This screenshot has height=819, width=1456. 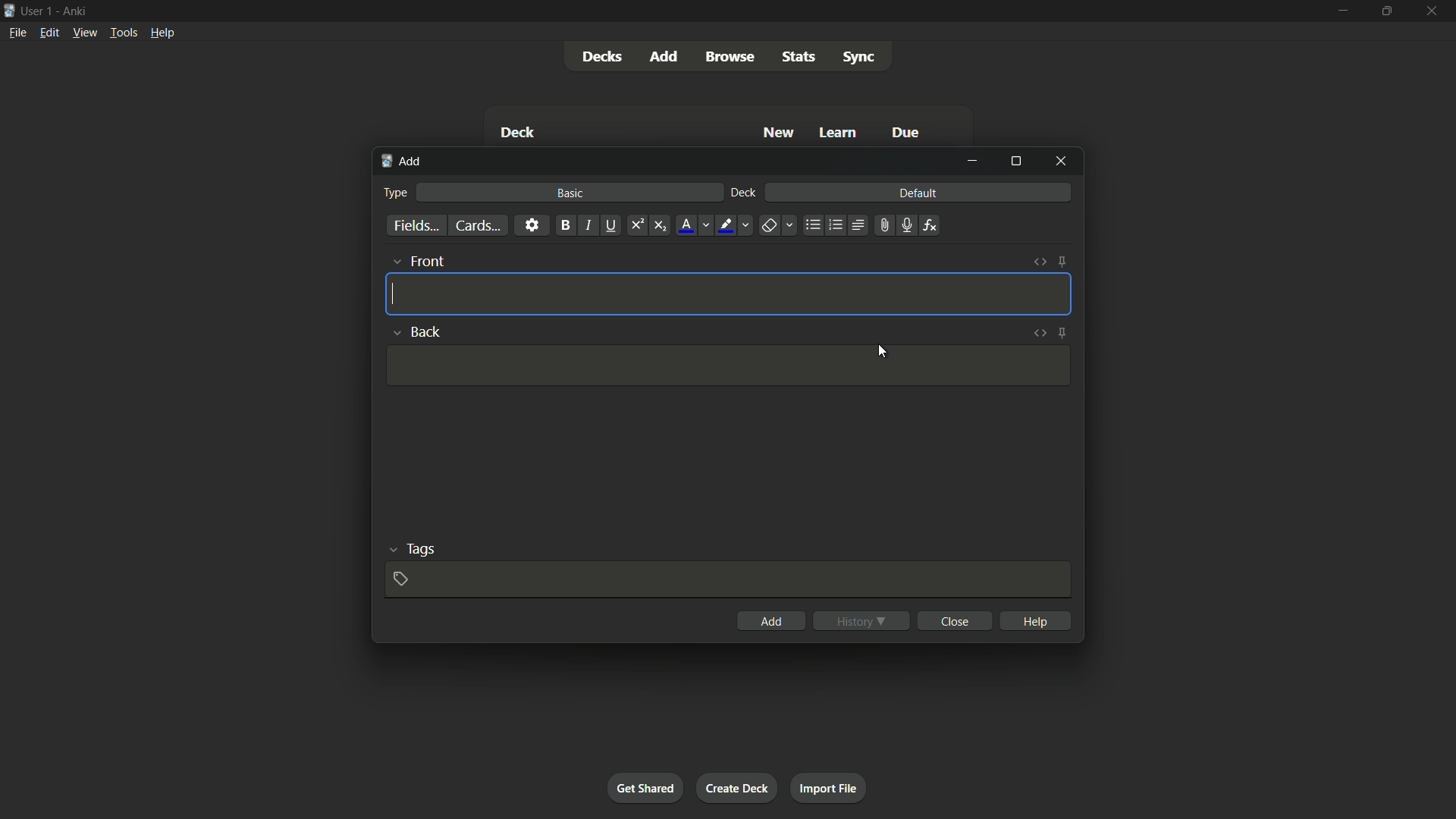 I want to click on settings, so click(x=532, y=224).